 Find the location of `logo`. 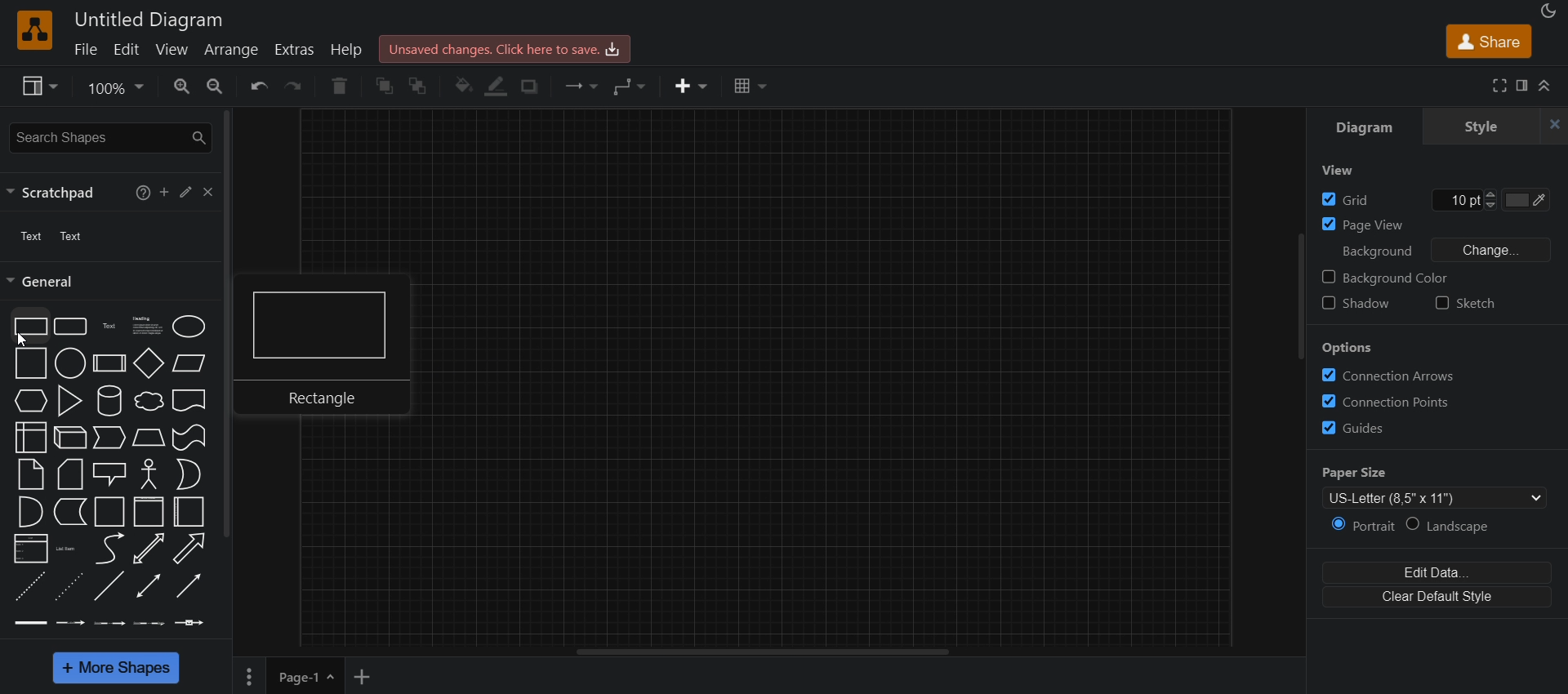

logo is located at coordinates (36, 30).